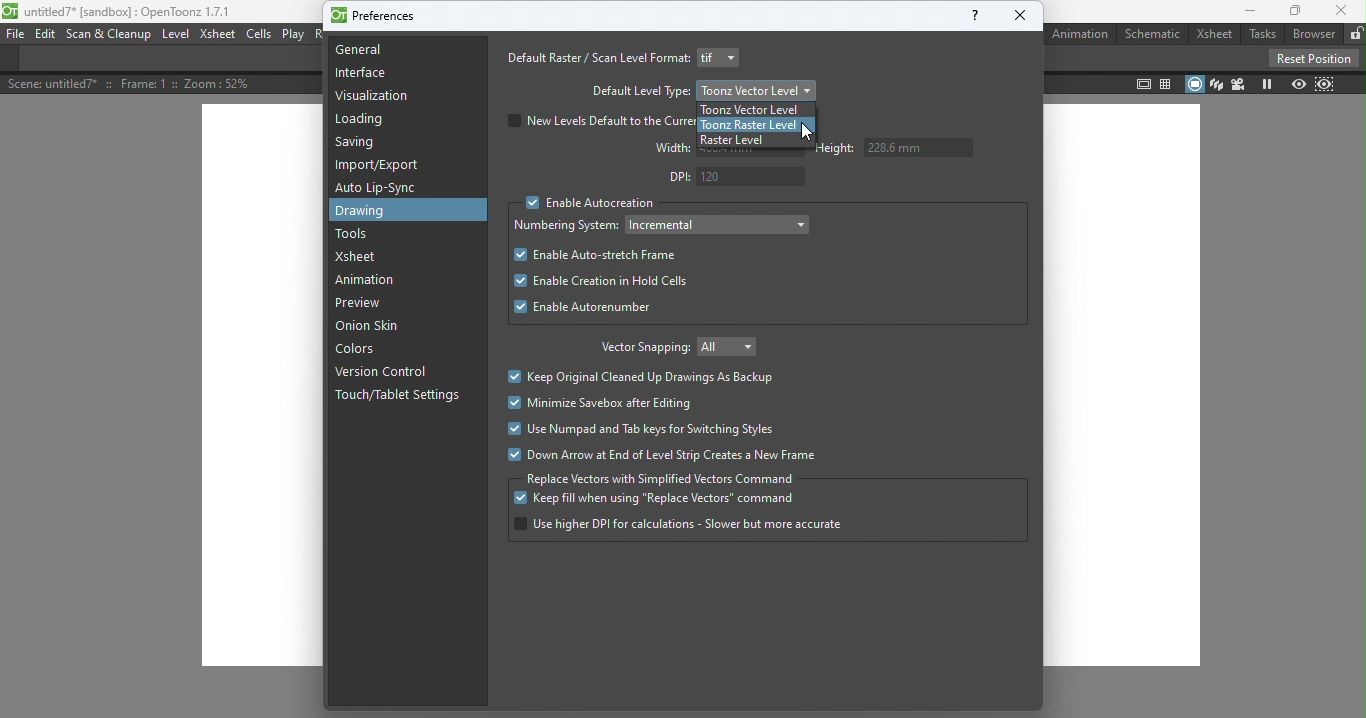 This screenshot has width=1366, height=718. What do you see at coordinates (360, 75) in the screenshot?
I see `Interface` at bounding box center [360, 75].